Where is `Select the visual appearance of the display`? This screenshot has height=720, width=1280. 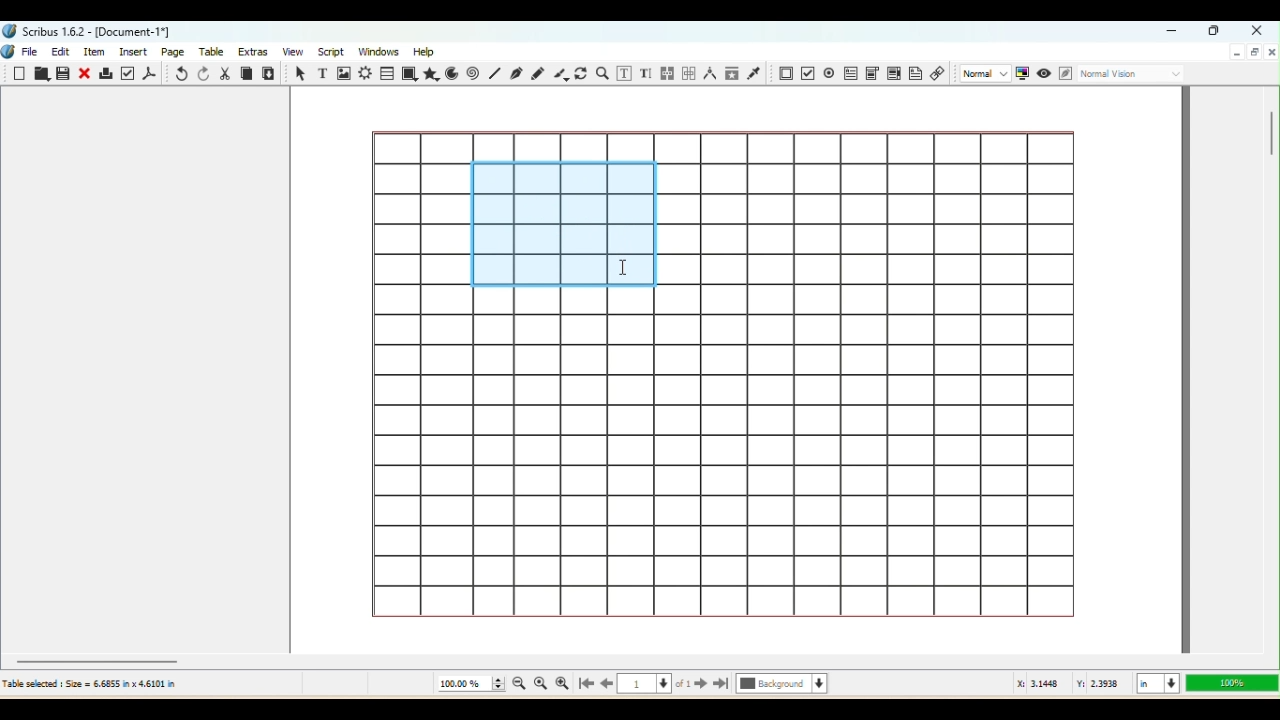
Select the visual appearance of the display is located at coordinates (1133, 75).